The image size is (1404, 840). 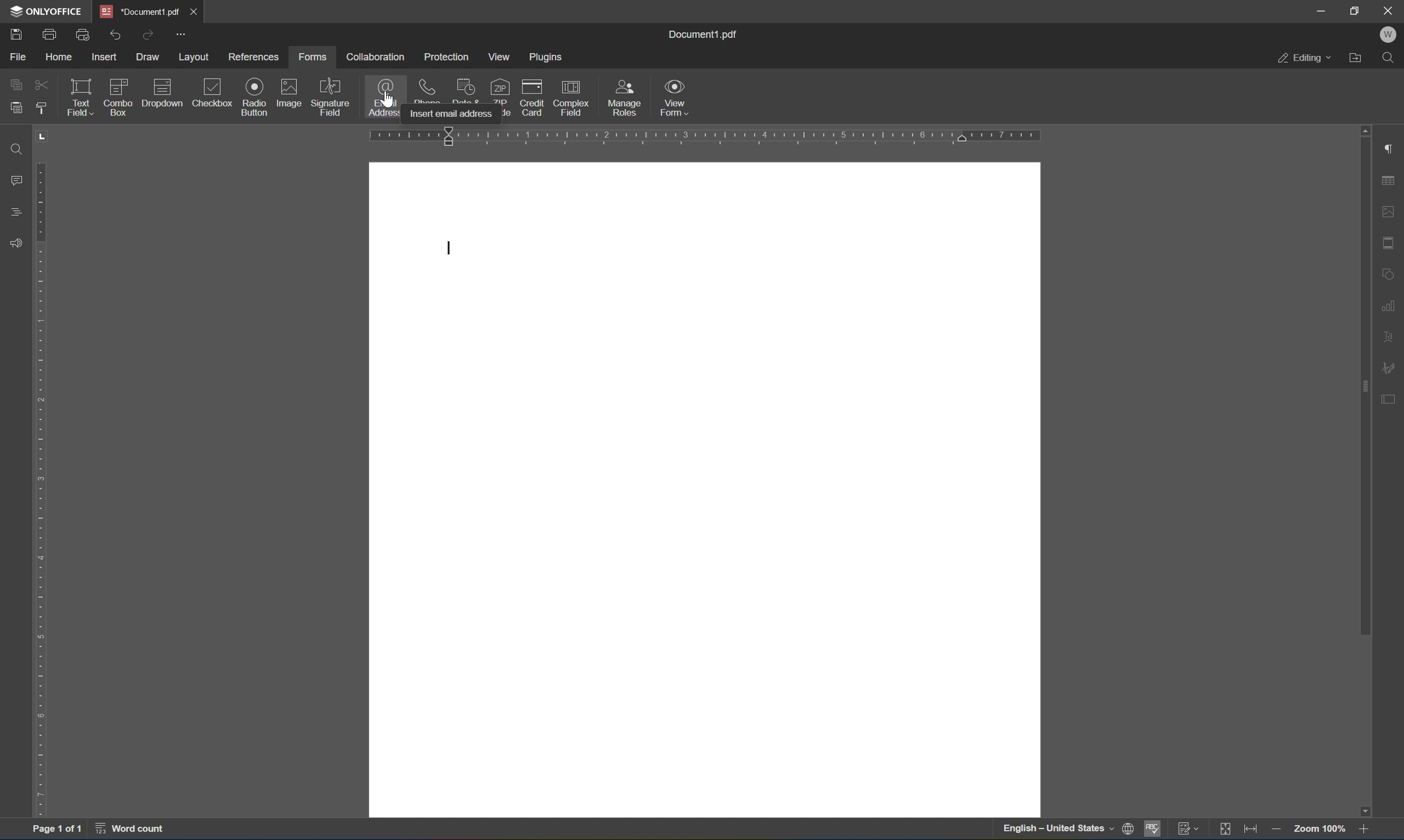 I want to click on plugins, so click(x=549, y=57).